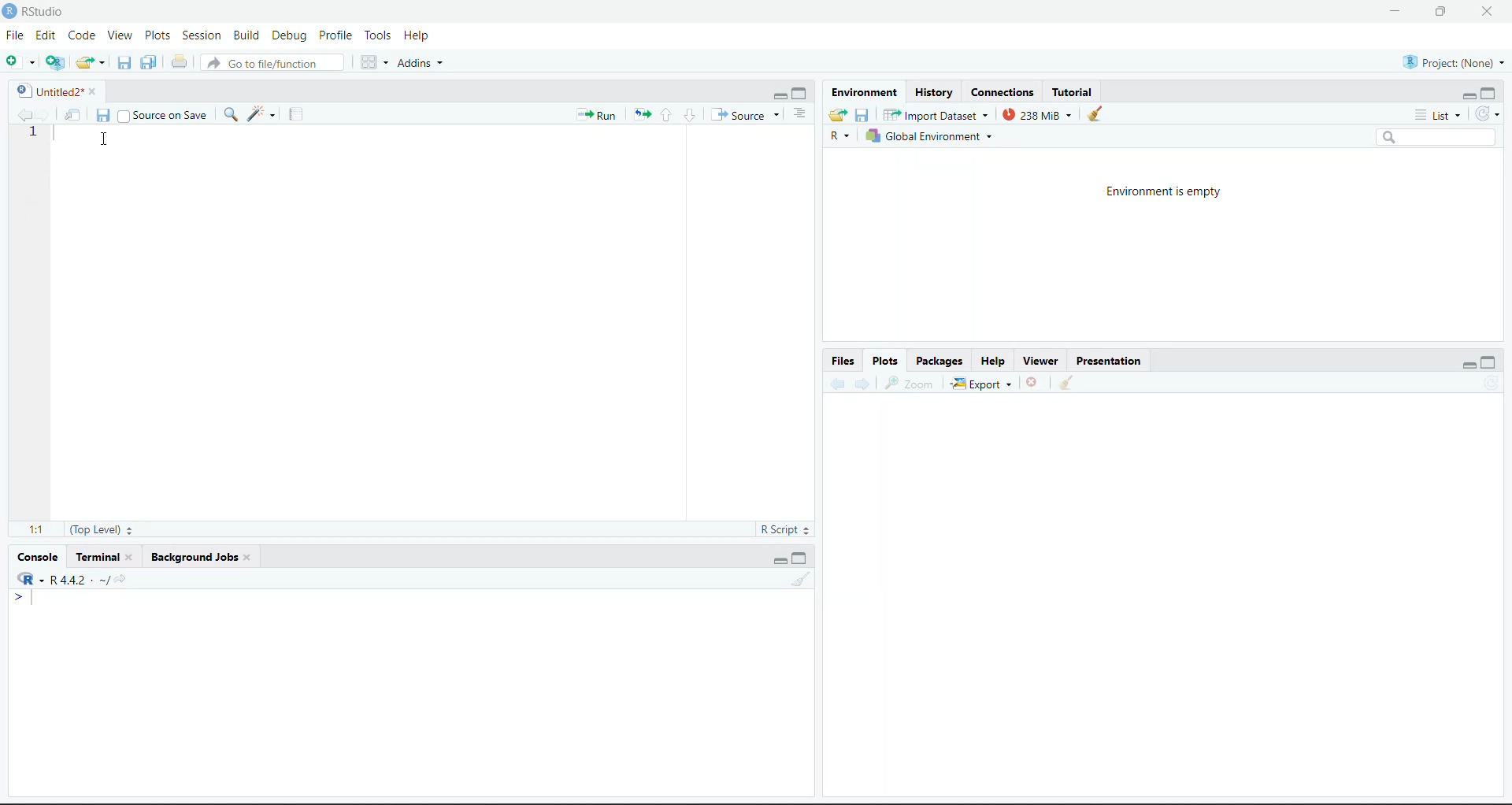 Image resolution: width=1512 pixels, height=805 pixels. I want to click on refresh, so click(1493, 382).